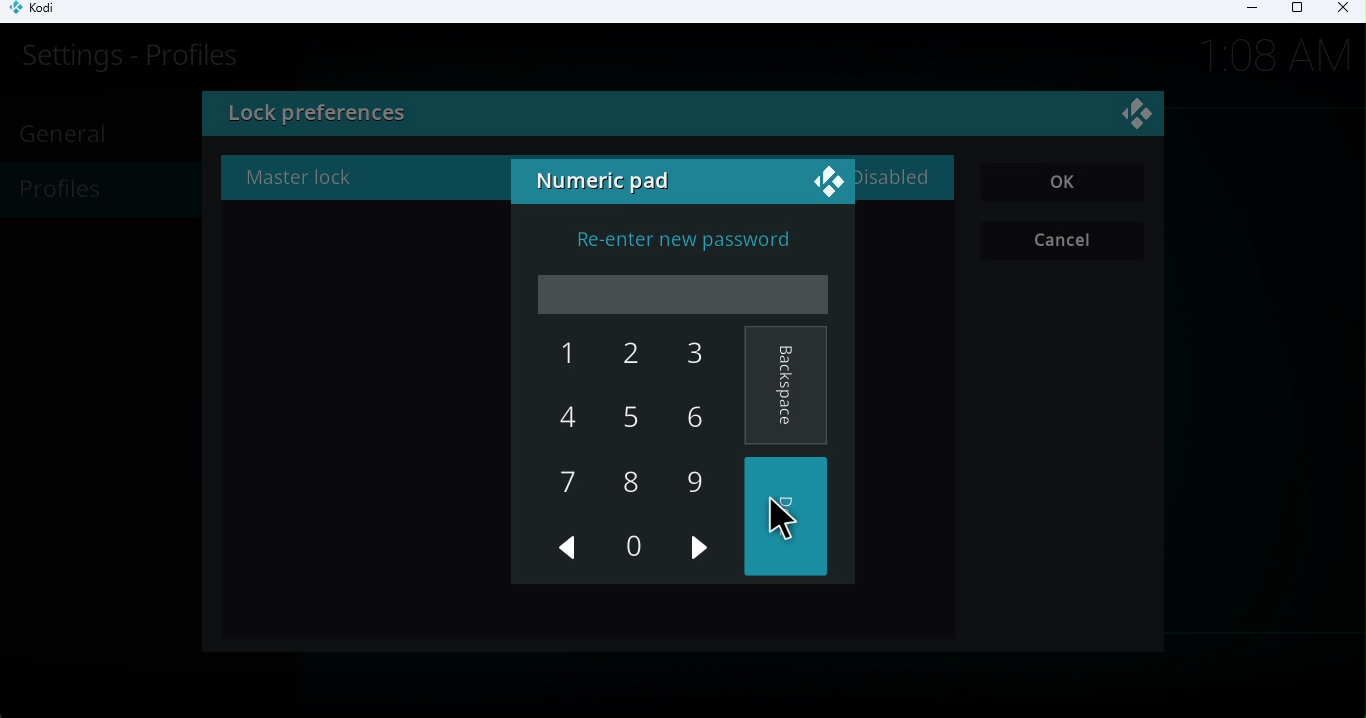  What do you see at coordinates (623, 421) in the screenshot?
I see `5` at bounding box center [623, 421].